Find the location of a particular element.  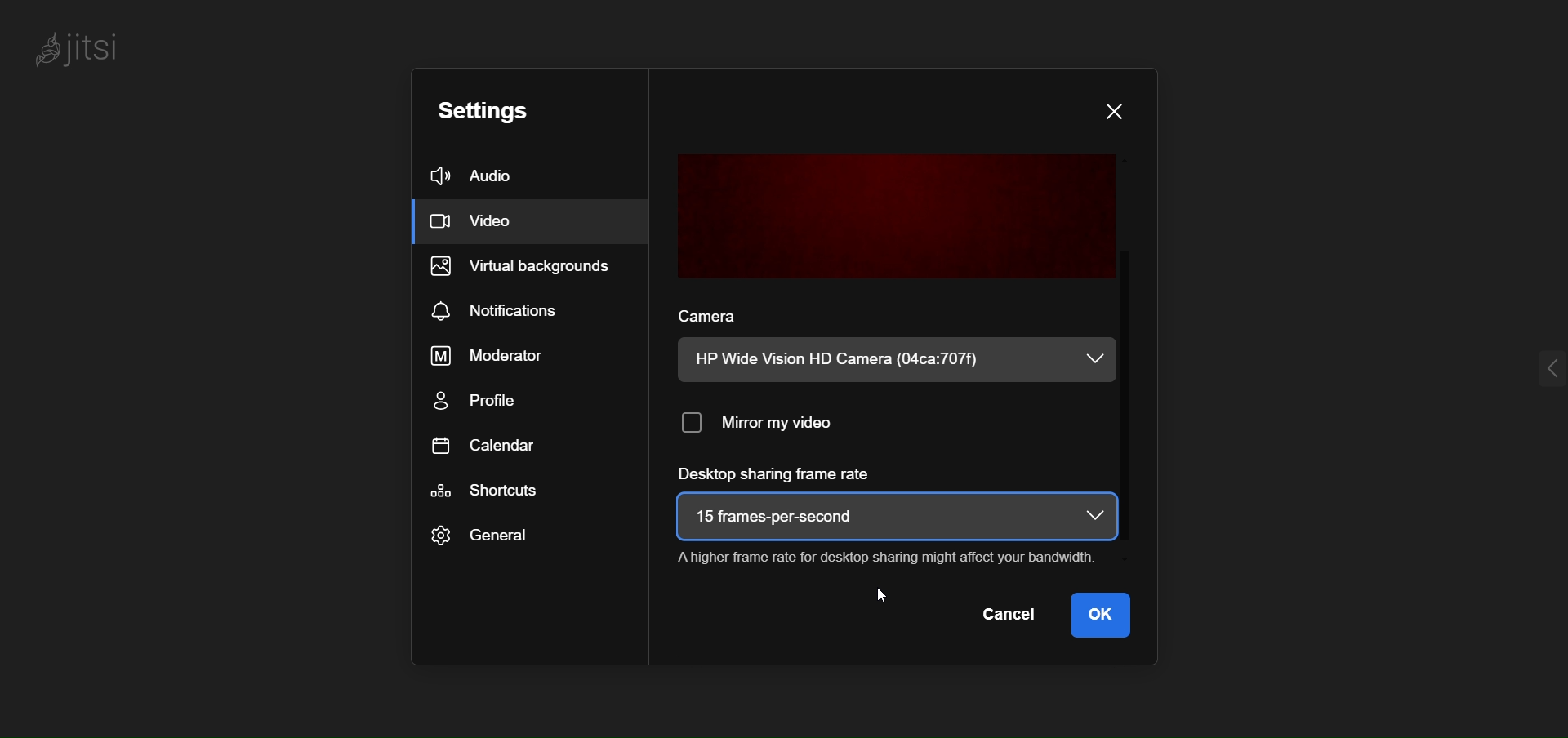

dropdown is located at coordinates (1094, 359).